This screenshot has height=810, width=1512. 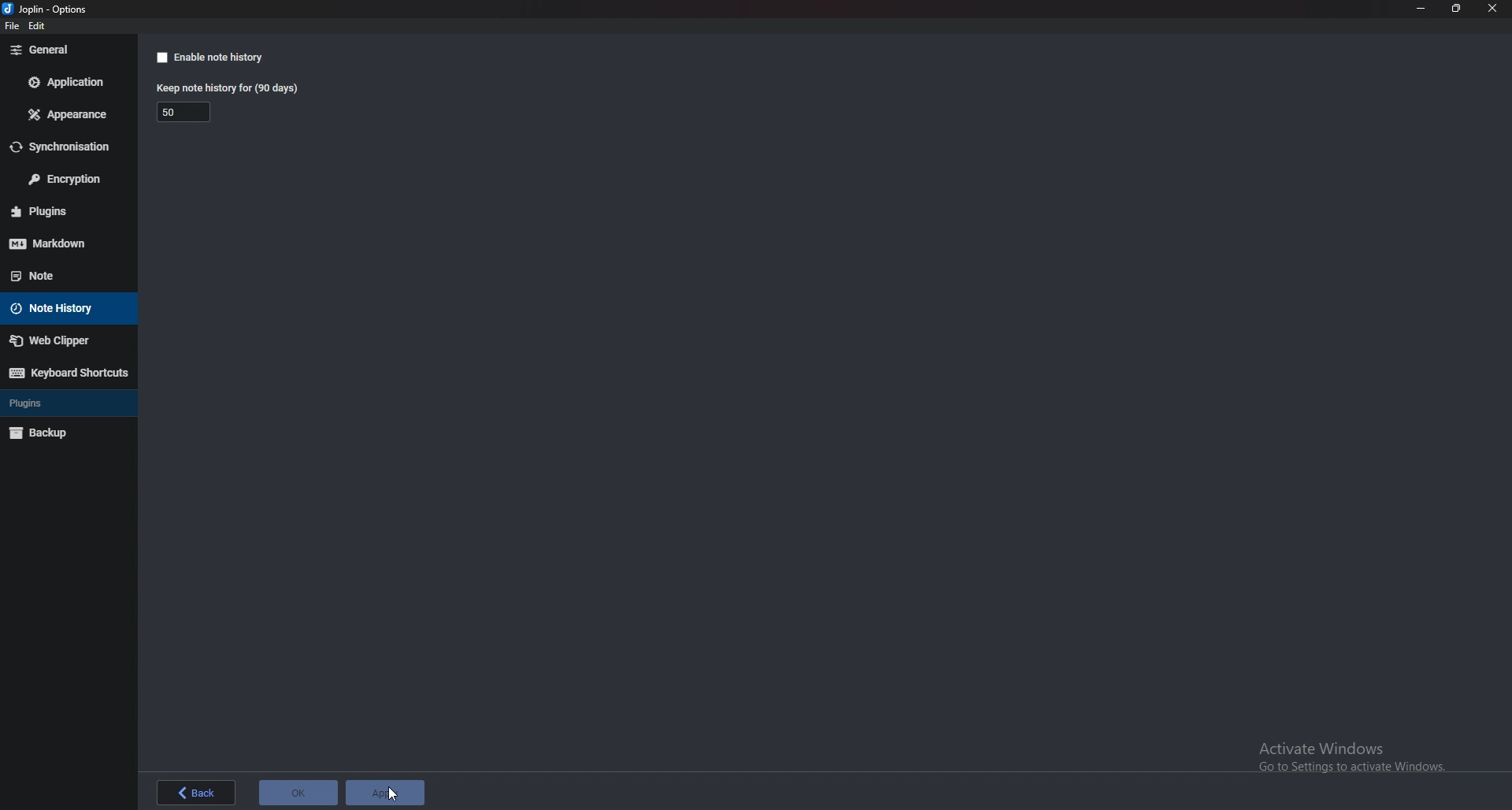 What do you see at coordinates (1365, 764) in the screenshot?
I see `Activate Windows
Go to Settings to activate Windows.` at bounding box center [1365, 764].